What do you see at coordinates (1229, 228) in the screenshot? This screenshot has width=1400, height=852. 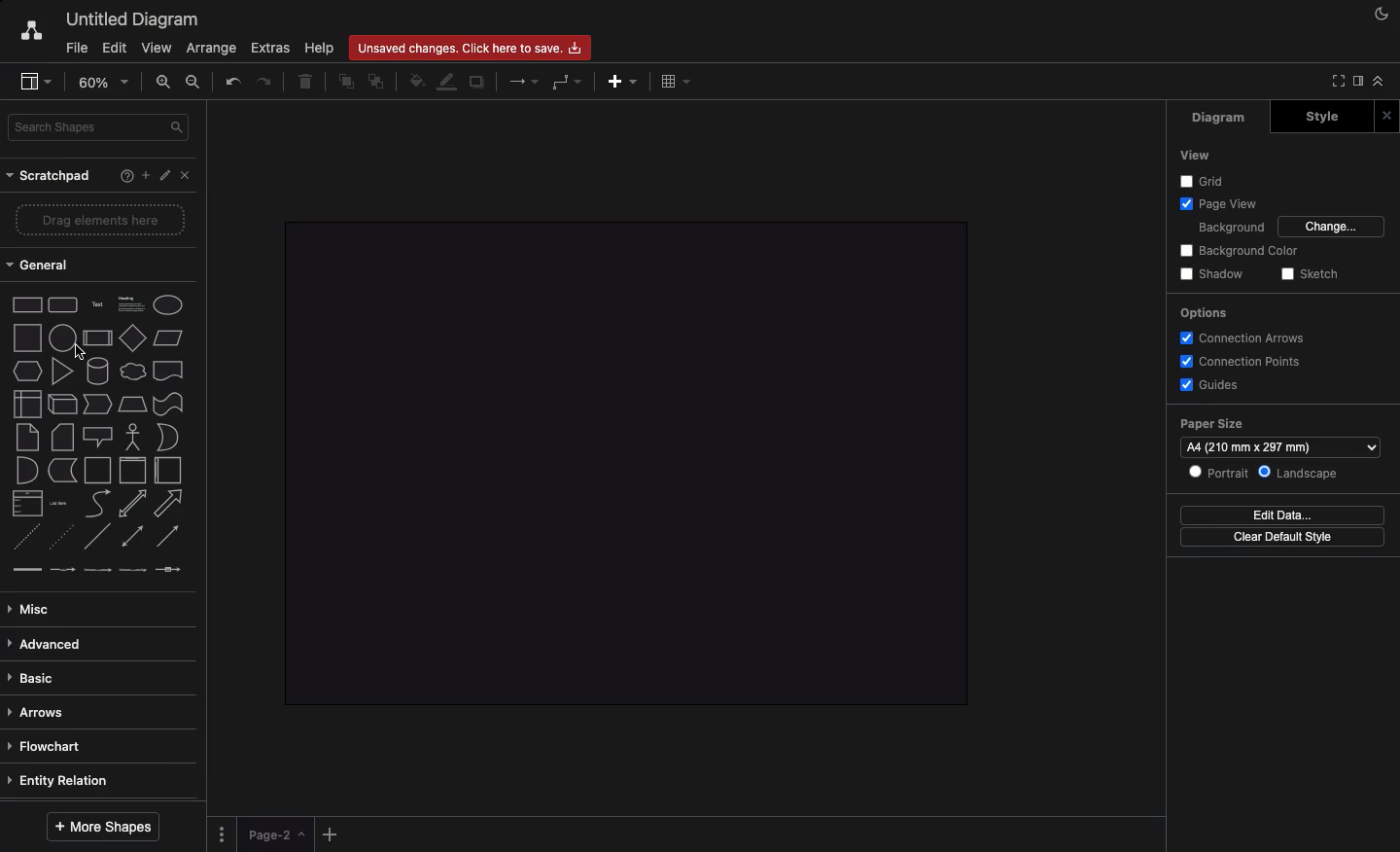 I see `Background` at bounding box center [1229, 228].